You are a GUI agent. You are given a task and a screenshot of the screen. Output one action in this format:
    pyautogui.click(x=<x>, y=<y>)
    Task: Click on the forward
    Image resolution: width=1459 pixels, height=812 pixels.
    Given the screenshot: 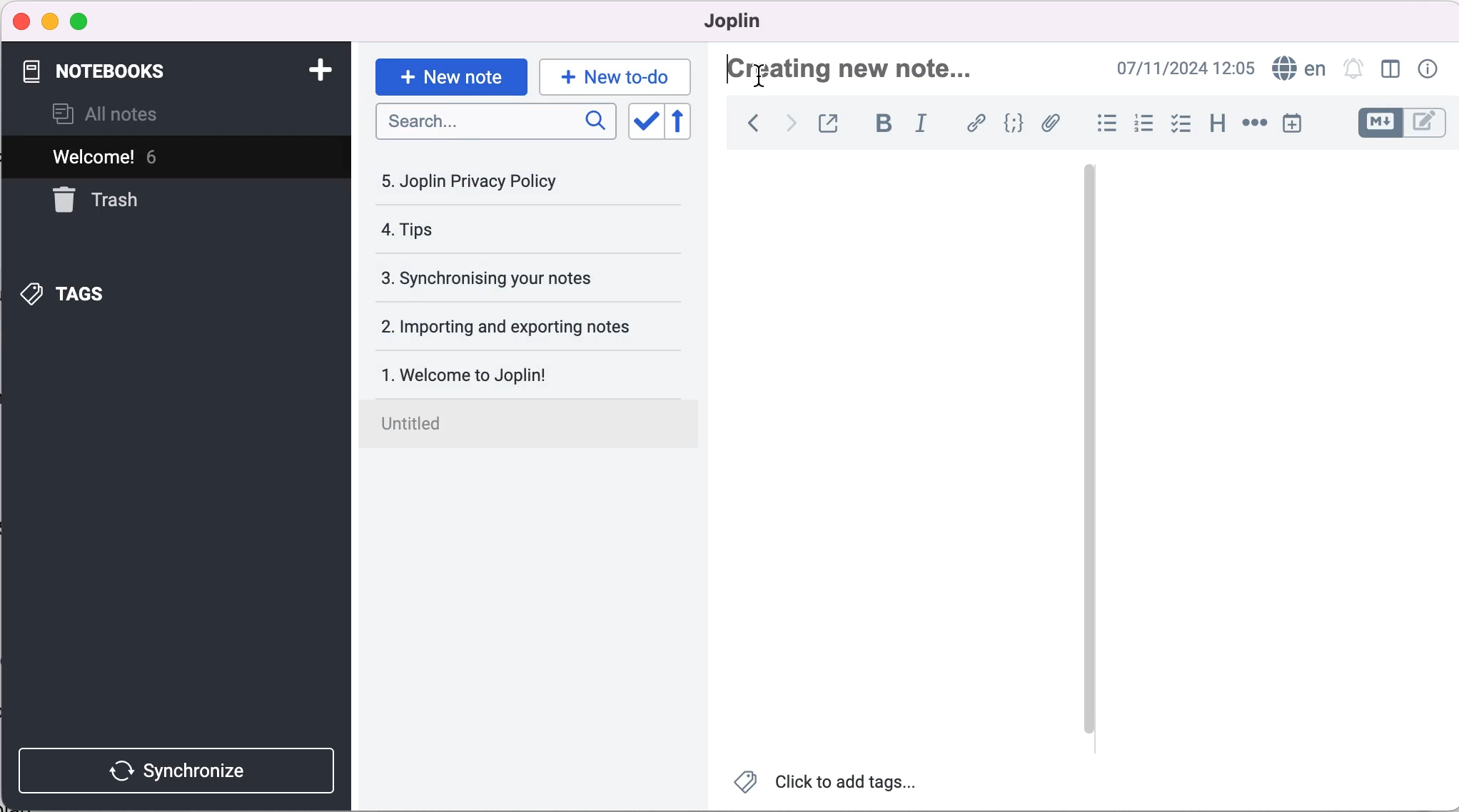 What is the action you would take?
    pyautogui.click(x=789, y=123)
    